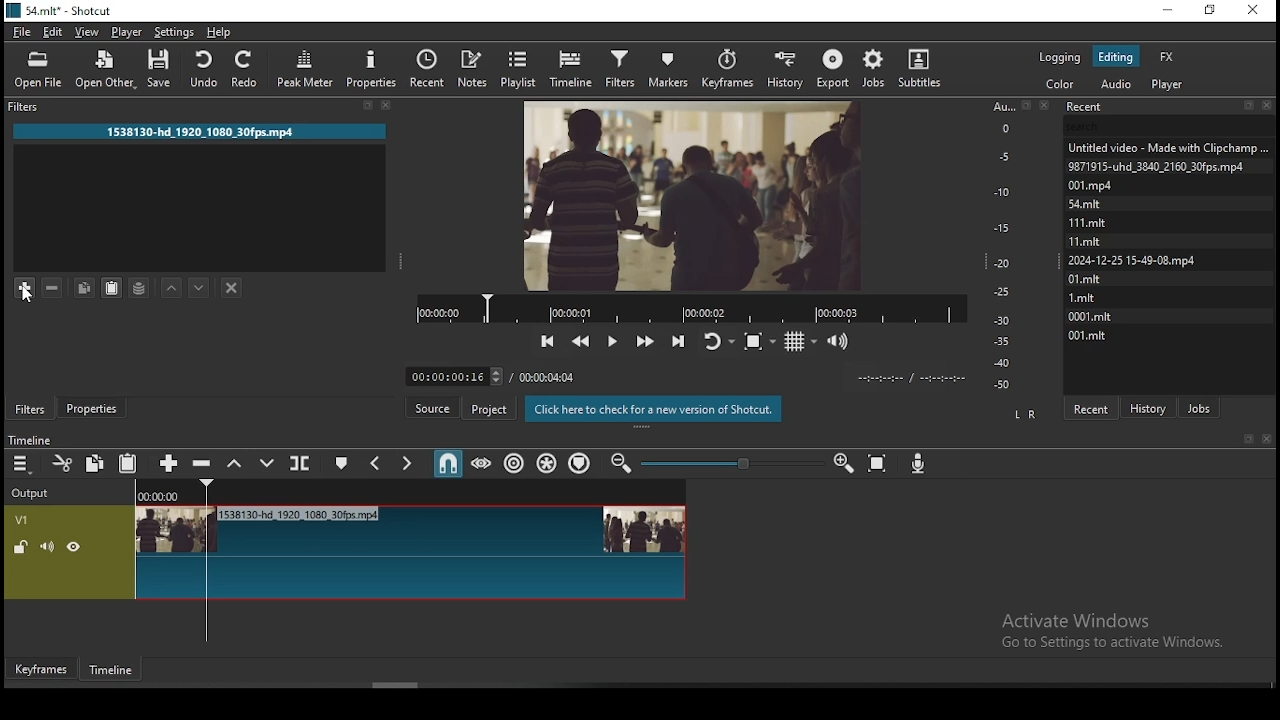  I want to click on copy, so click(97, 464).